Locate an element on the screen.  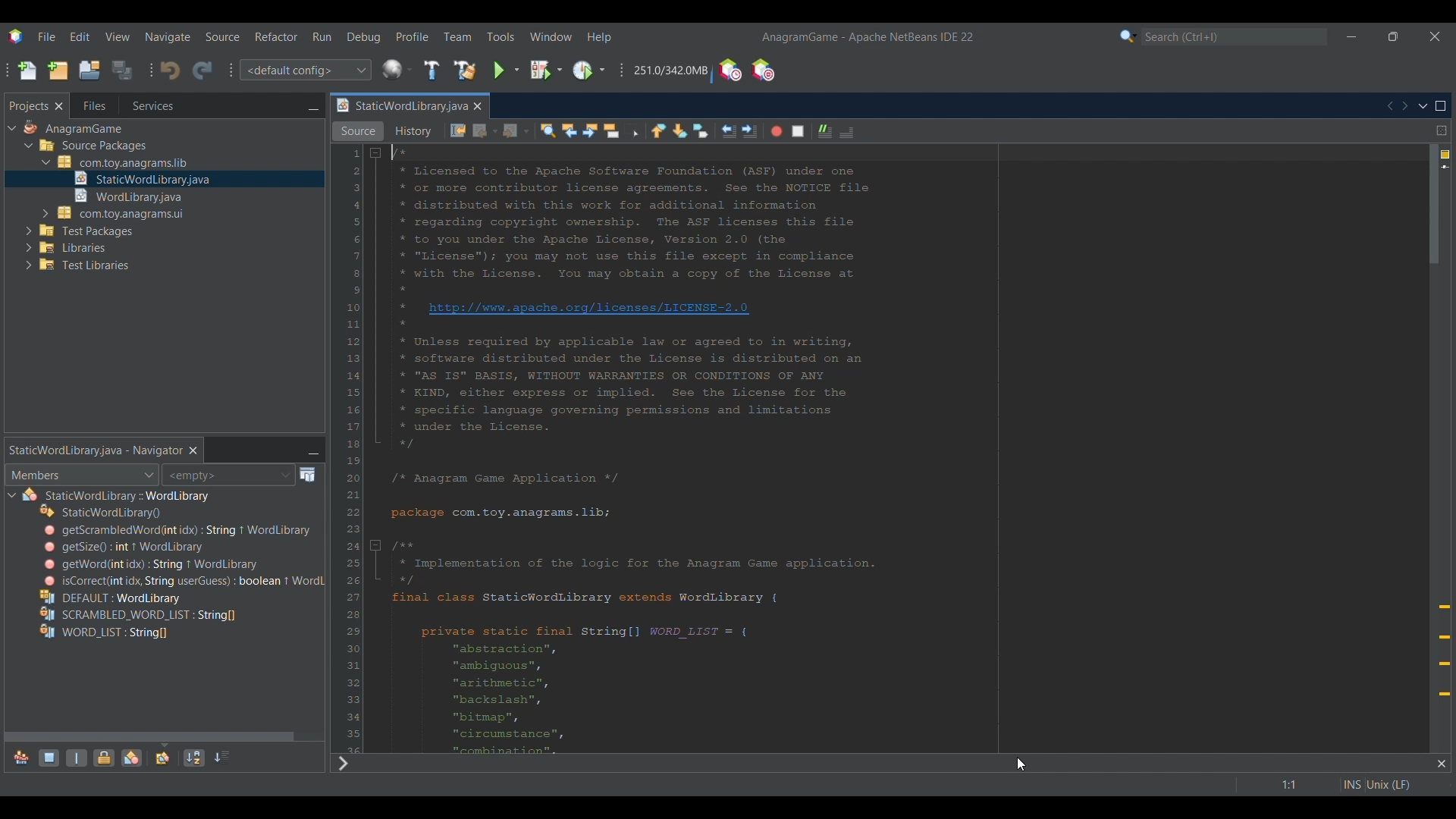
New project is located at coordinates (58, 71).